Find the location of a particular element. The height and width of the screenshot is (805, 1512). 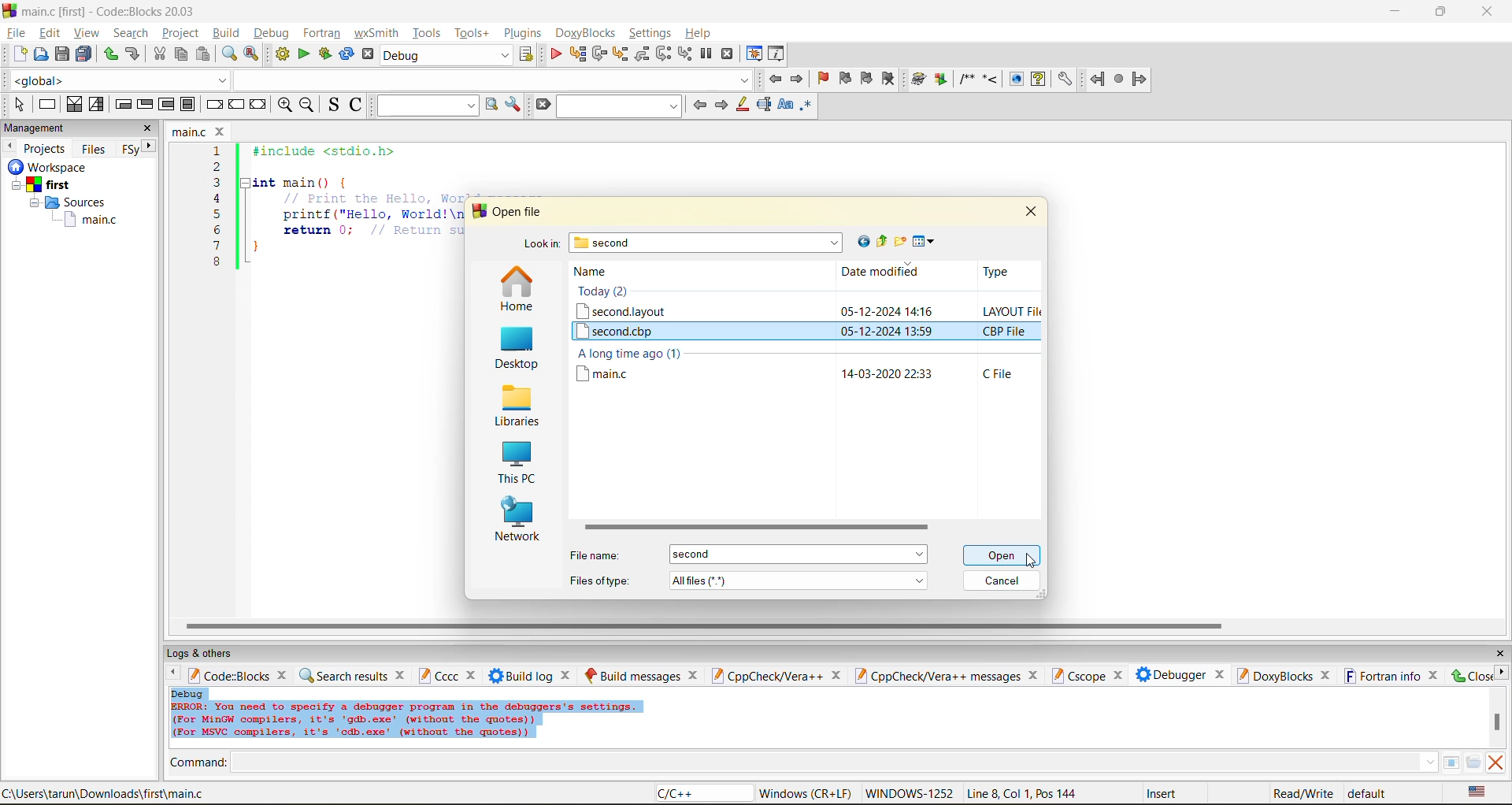

build is located at coordinates (225, 32).